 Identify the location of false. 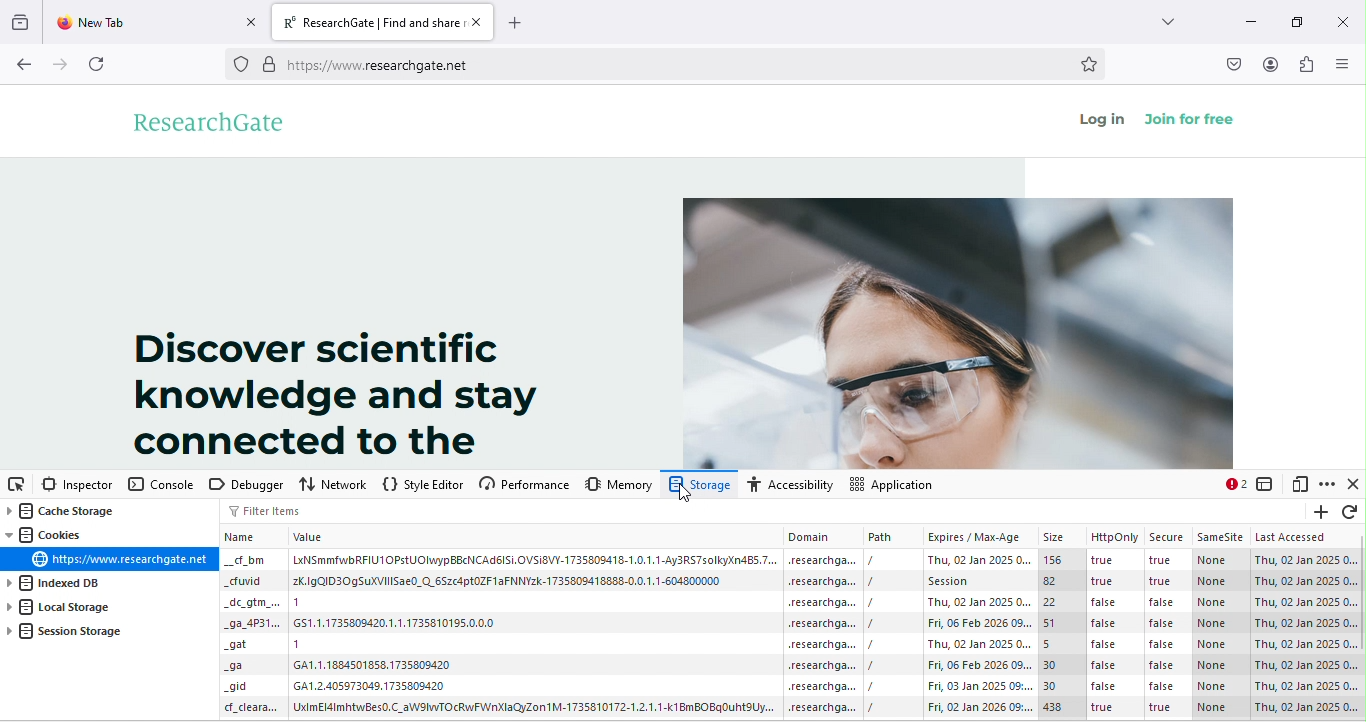
(1165, 666).